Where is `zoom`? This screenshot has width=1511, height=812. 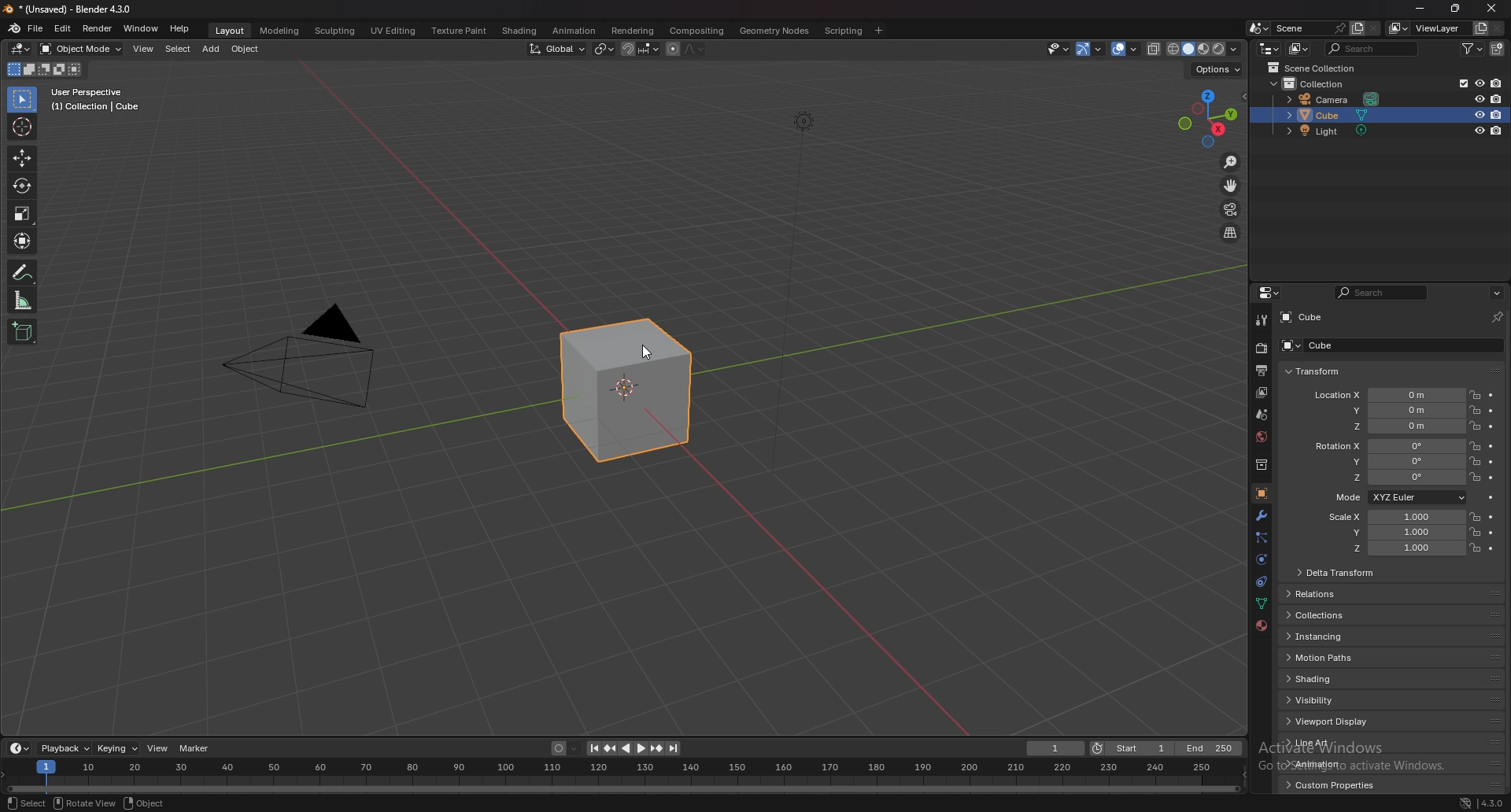 zoom is located at coordinates (1232, 163).